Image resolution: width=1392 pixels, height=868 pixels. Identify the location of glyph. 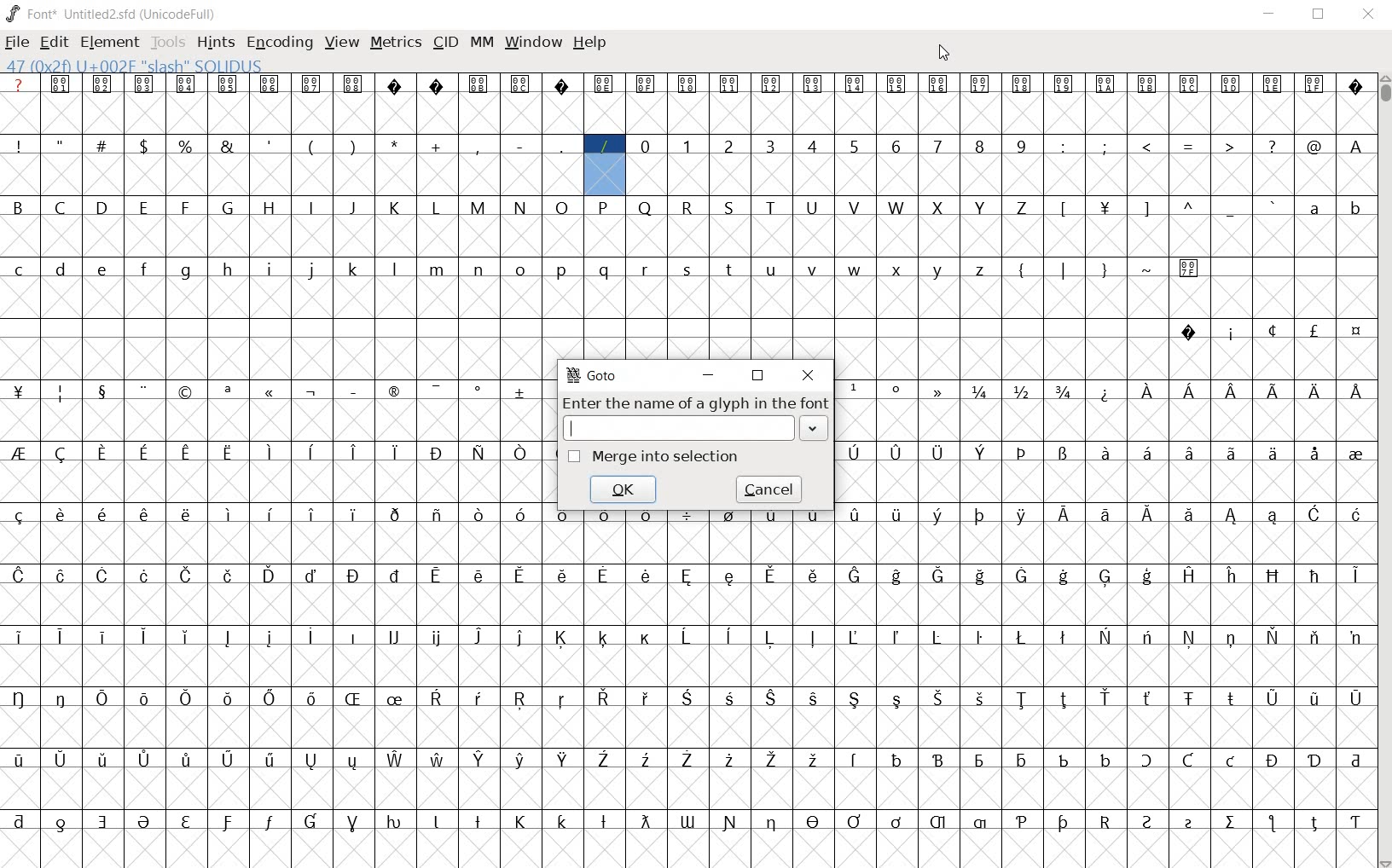
(561, 700).